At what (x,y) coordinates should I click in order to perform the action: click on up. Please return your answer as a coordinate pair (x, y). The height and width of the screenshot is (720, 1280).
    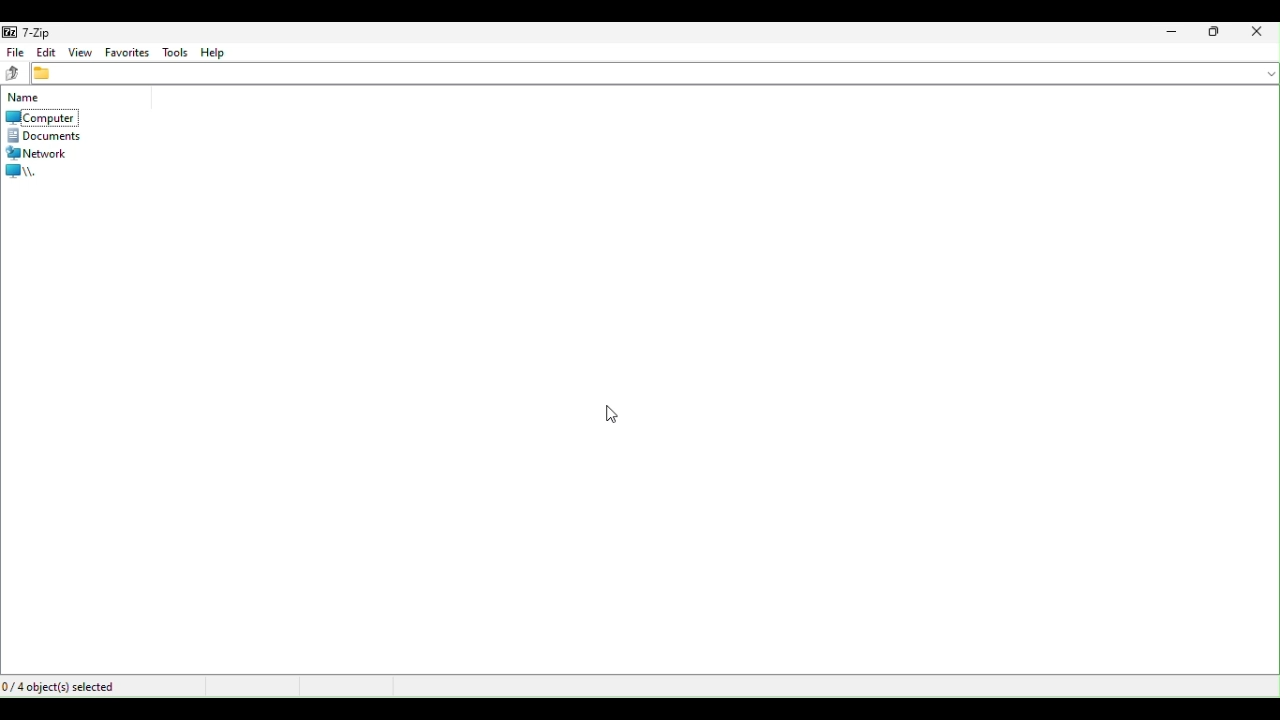
    Looking at the image, I should click on (13, 74).